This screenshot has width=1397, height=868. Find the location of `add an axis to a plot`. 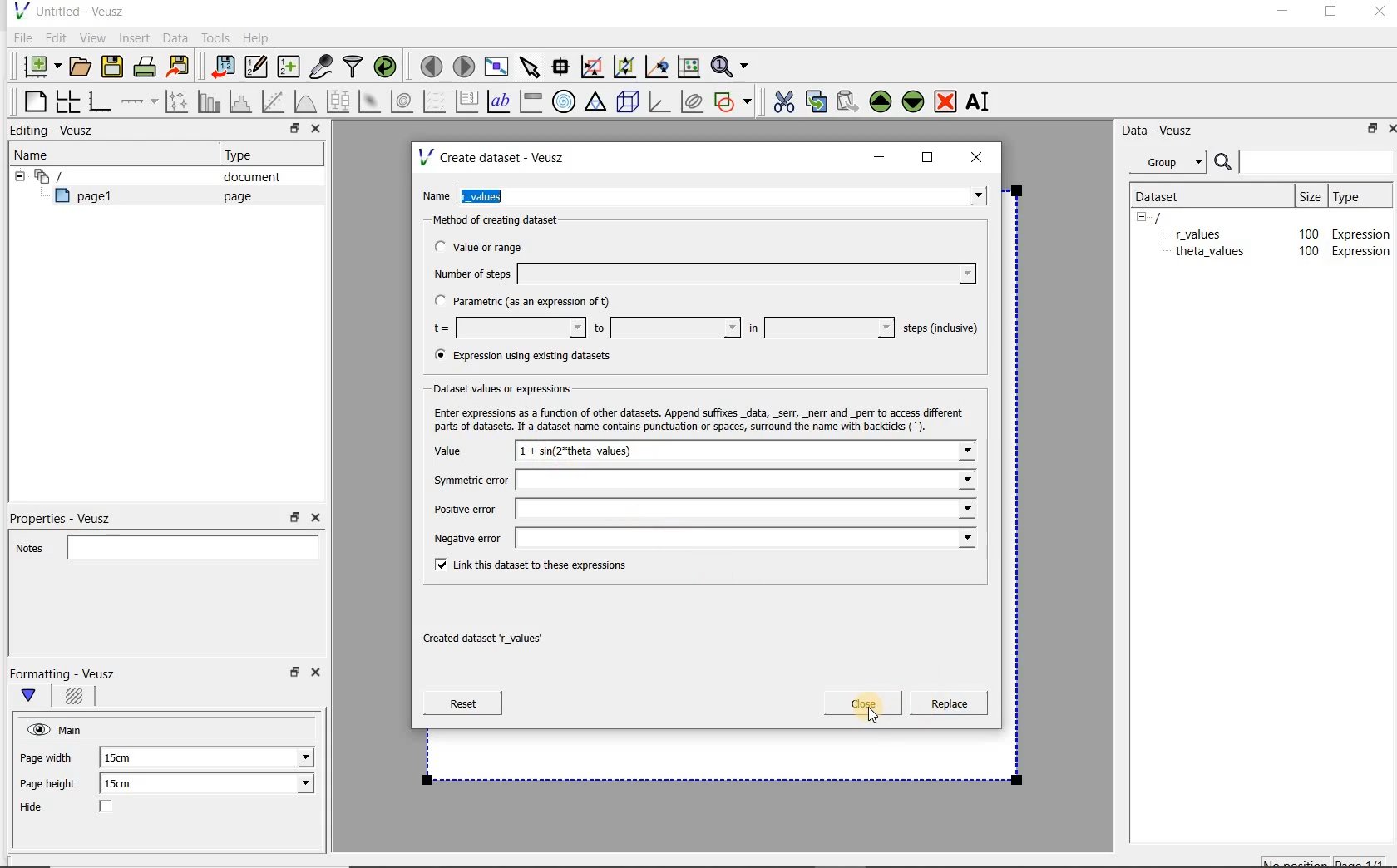

add an axis to a plot is located at coordinates (141, 101).